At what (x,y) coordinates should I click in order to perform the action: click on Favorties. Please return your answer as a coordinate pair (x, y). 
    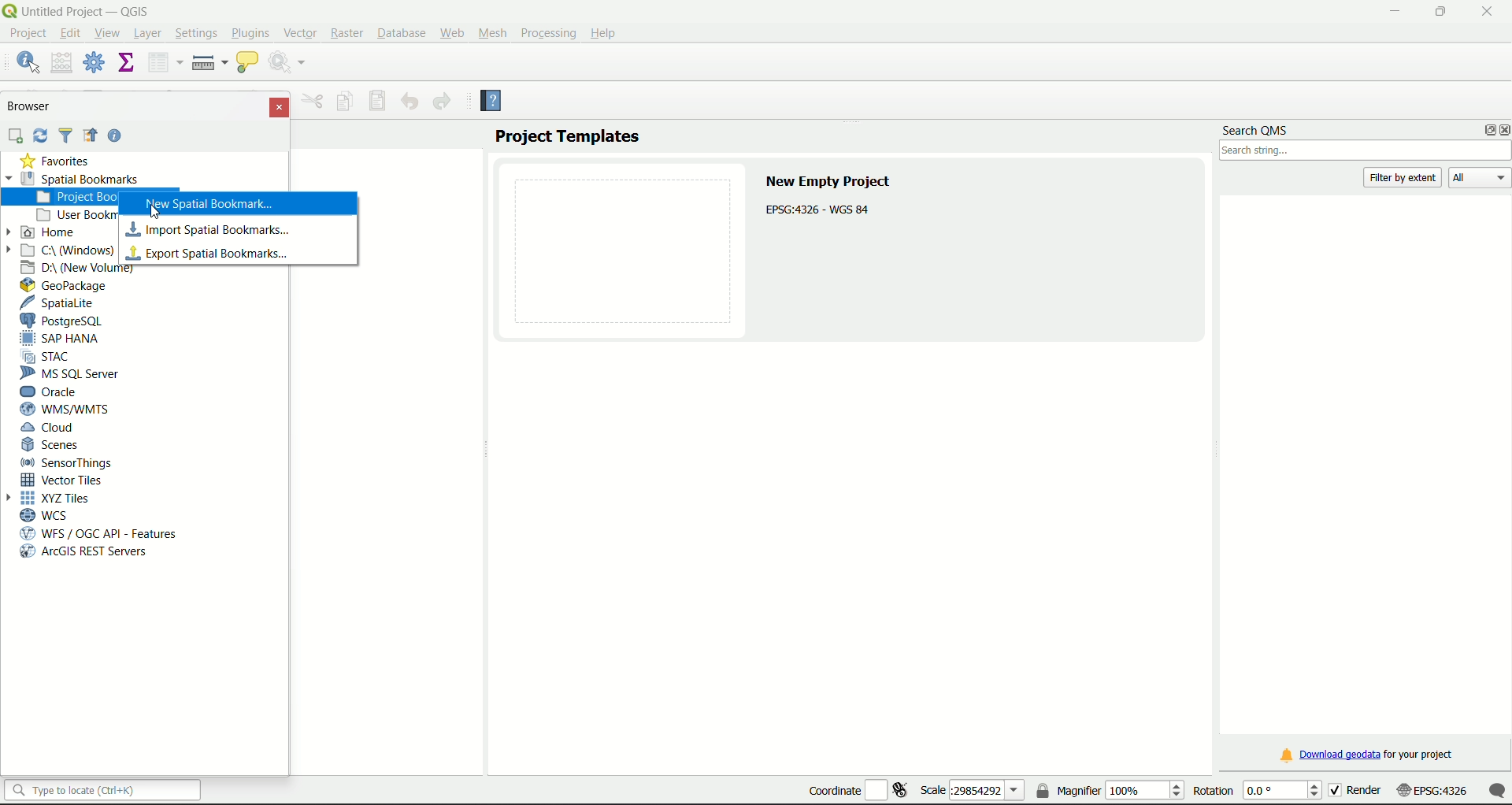
    Looking at the image, I should click on (55, 161).